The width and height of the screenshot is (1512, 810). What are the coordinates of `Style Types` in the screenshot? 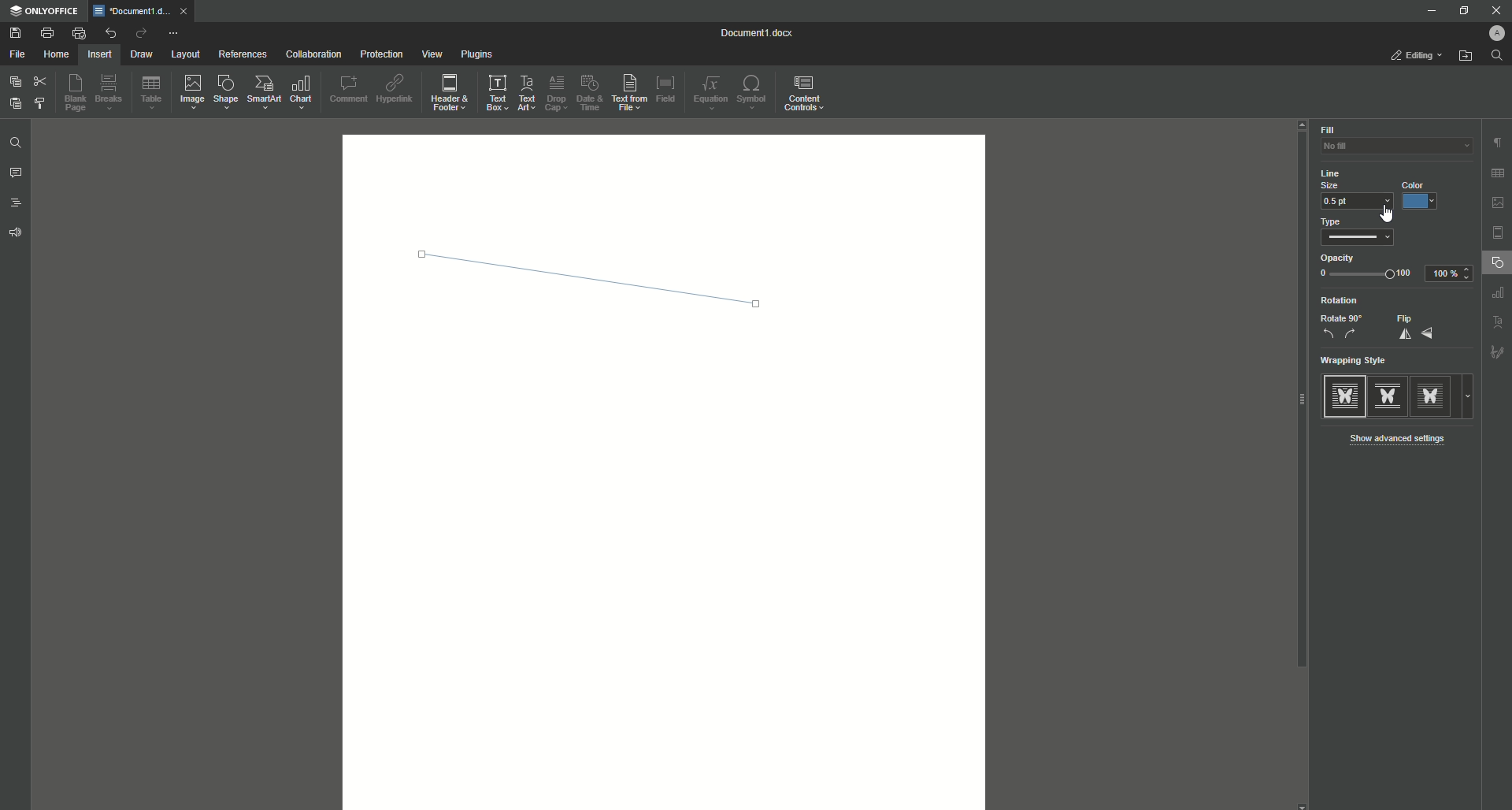 It's located at (1399, 396).